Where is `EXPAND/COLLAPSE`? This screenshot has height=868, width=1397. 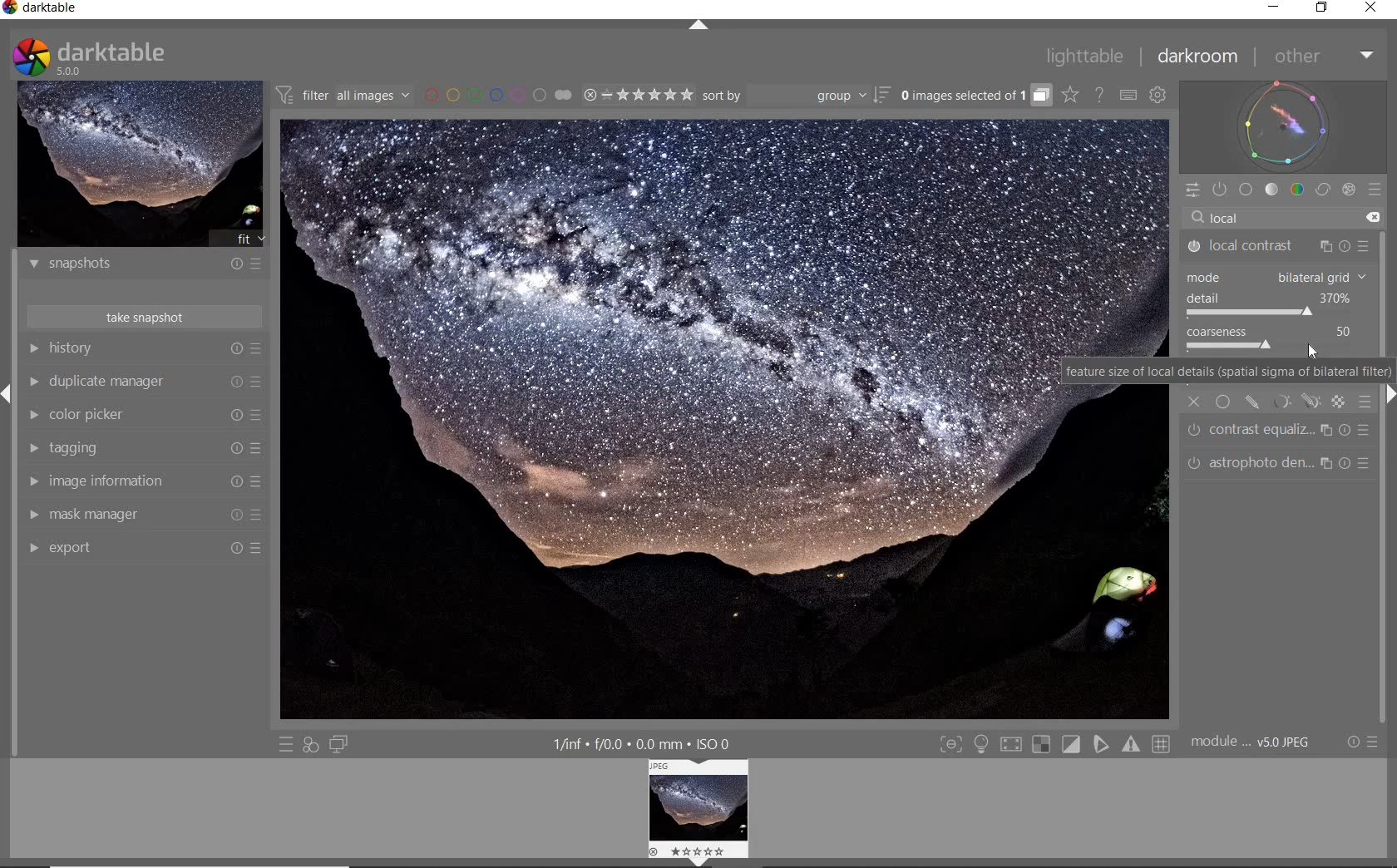 EXPAND/COLLAPSE is located at coordinates (698, 26).